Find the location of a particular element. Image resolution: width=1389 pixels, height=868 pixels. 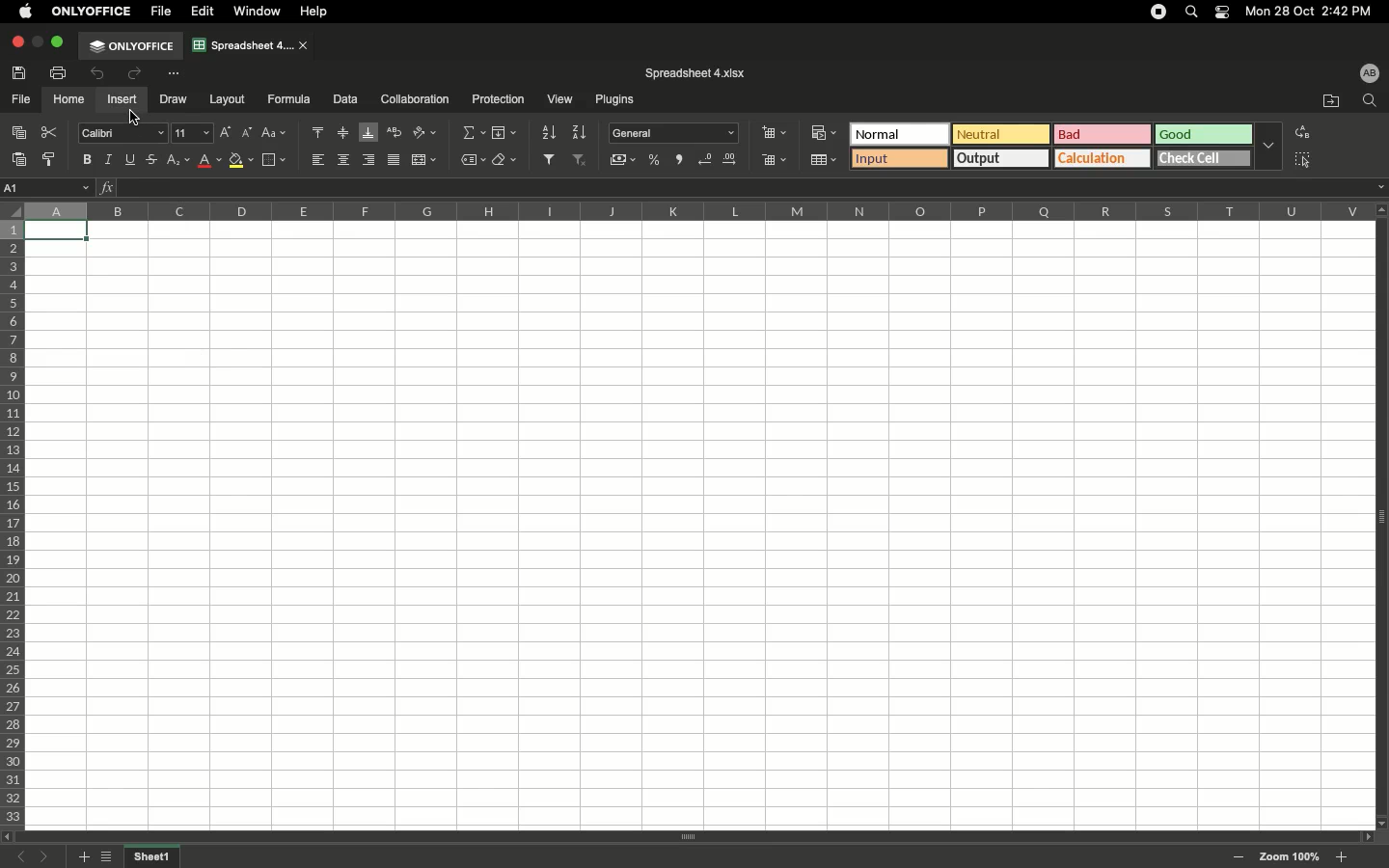

Customize tool bar is located at coordinates (173, 72).